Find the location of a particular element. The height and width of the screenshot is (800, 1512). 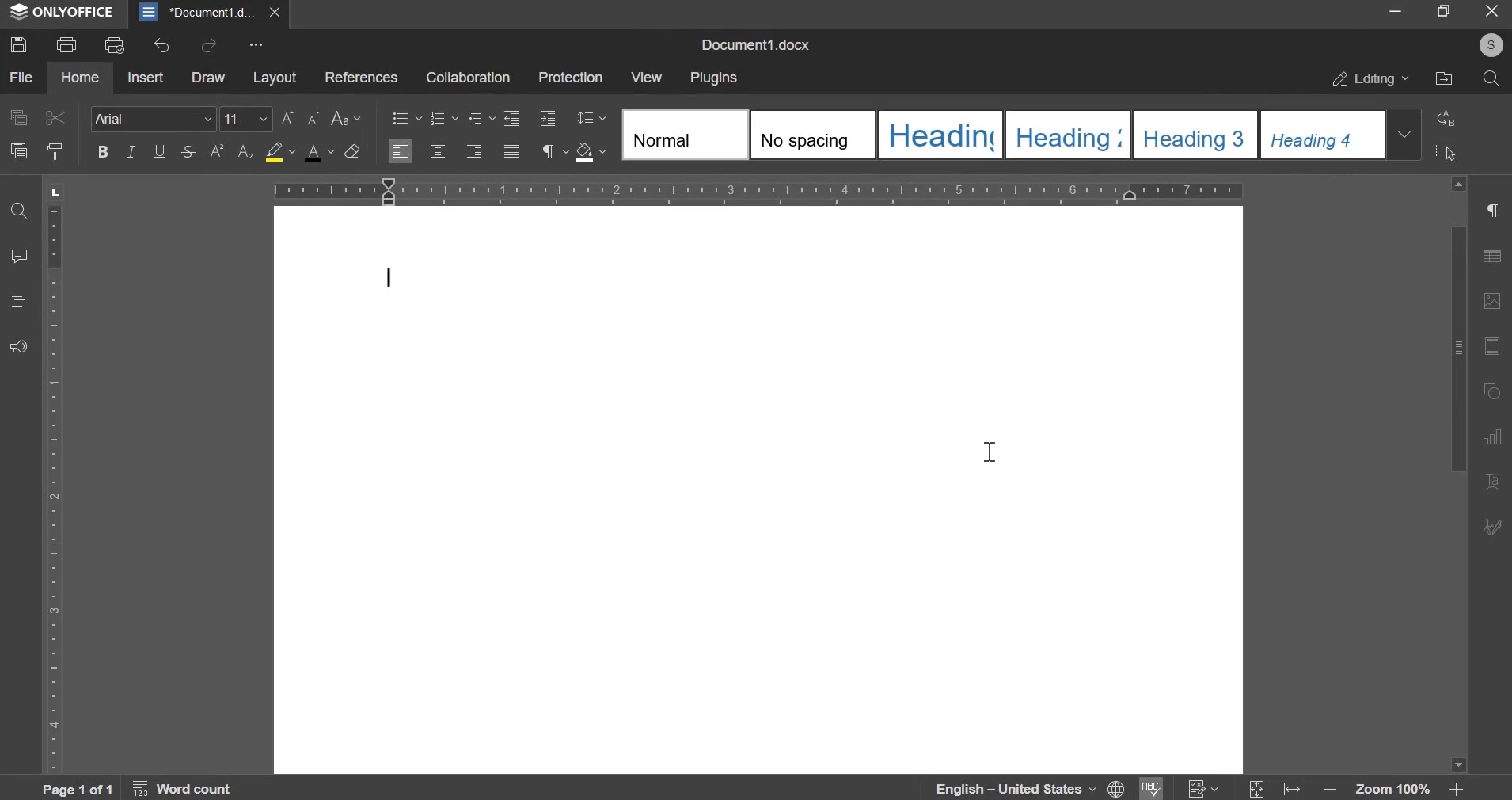

file is located at coordinates (27, 78).